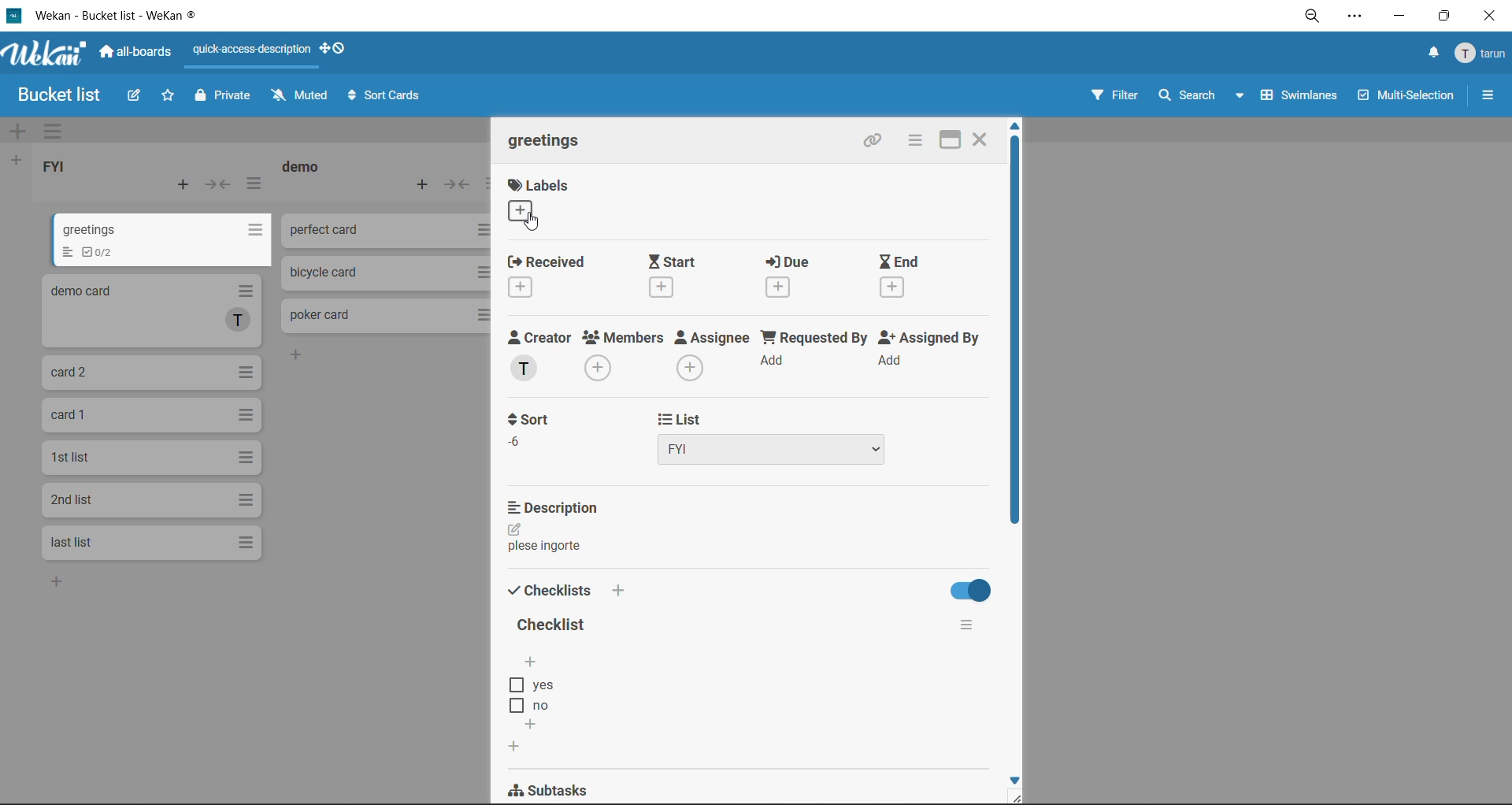 The height and width of the screenshot is (805, 1512). Describe the element at coordinates (1403, 98) in the screenshot. I see `multiselection` at that location.